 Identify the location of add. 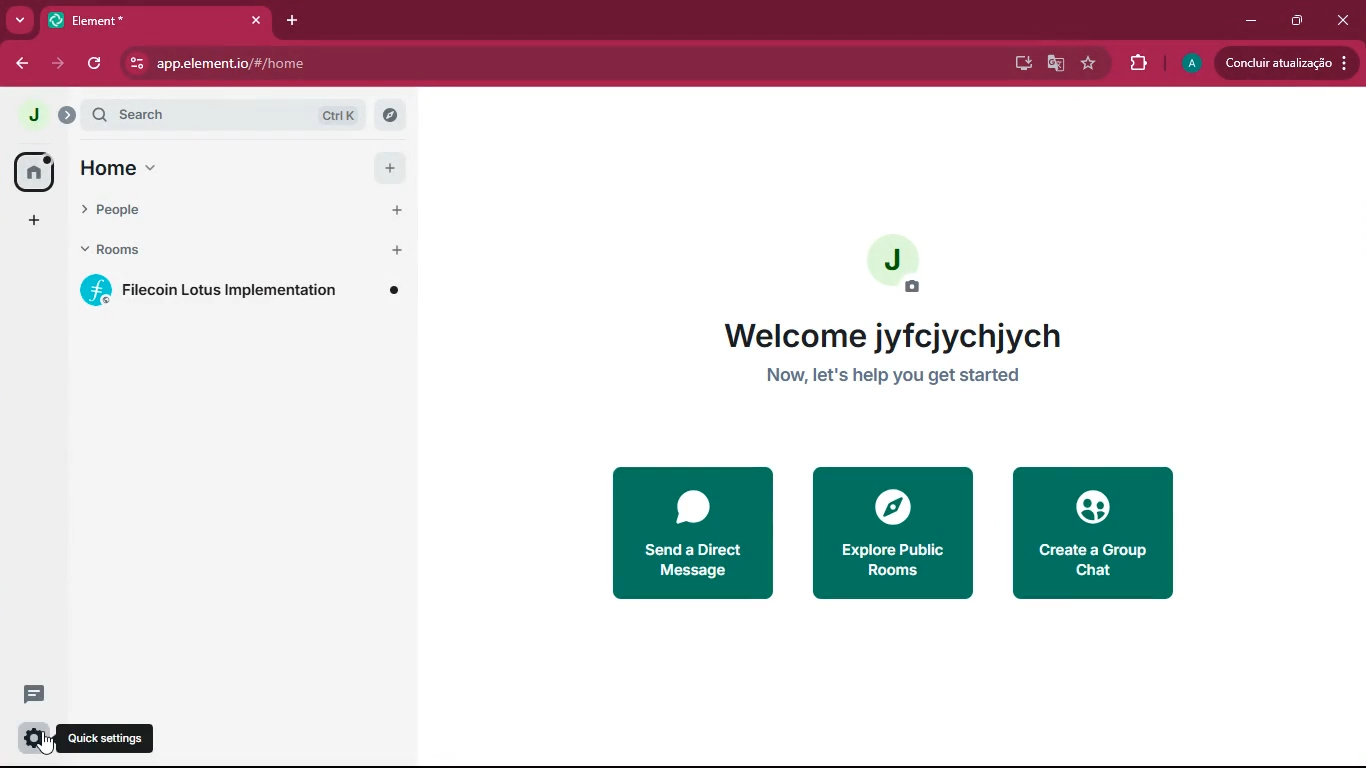
(26, 222).